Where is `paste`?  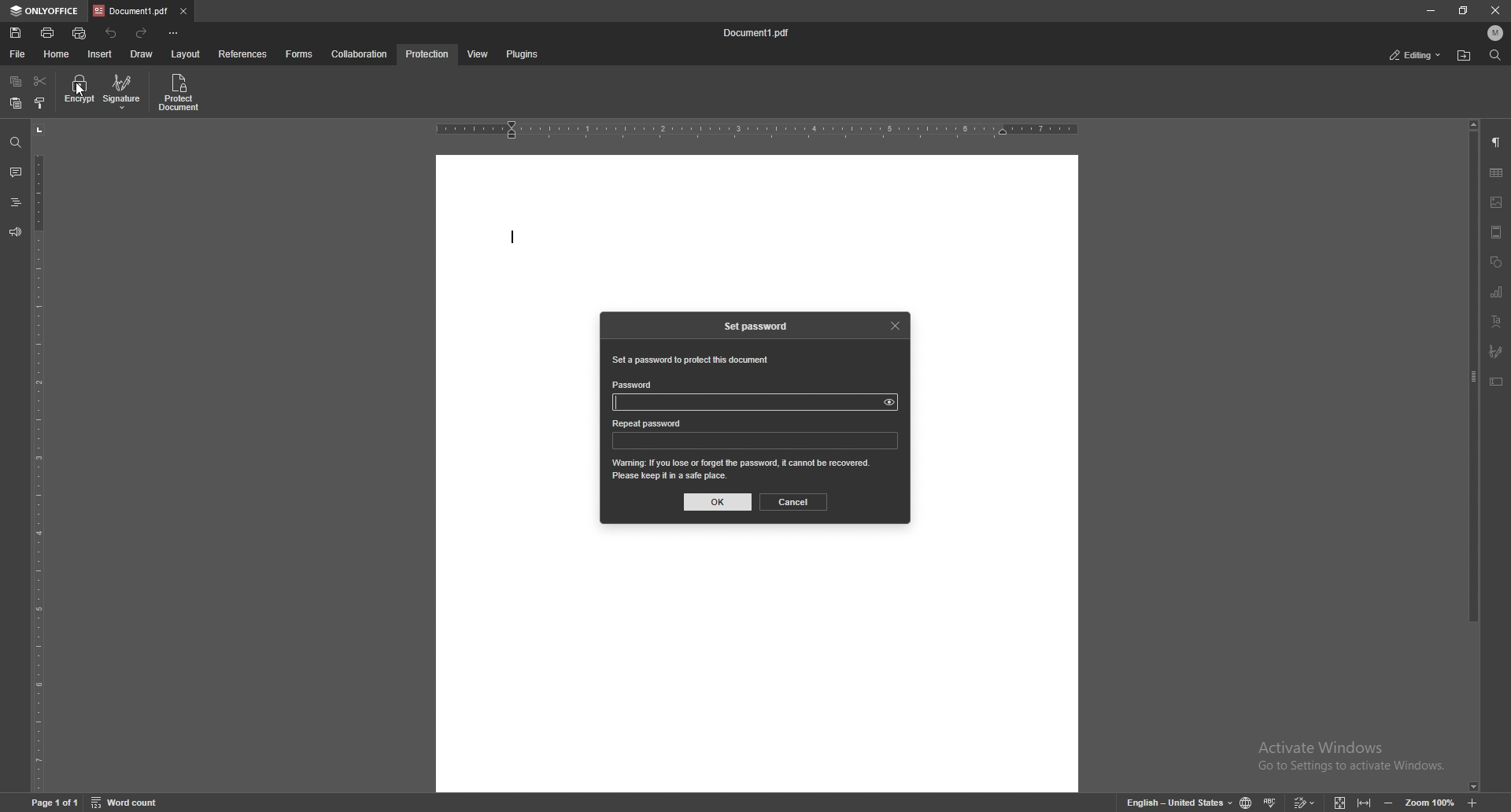
paste is located at coordinates (16, 104).